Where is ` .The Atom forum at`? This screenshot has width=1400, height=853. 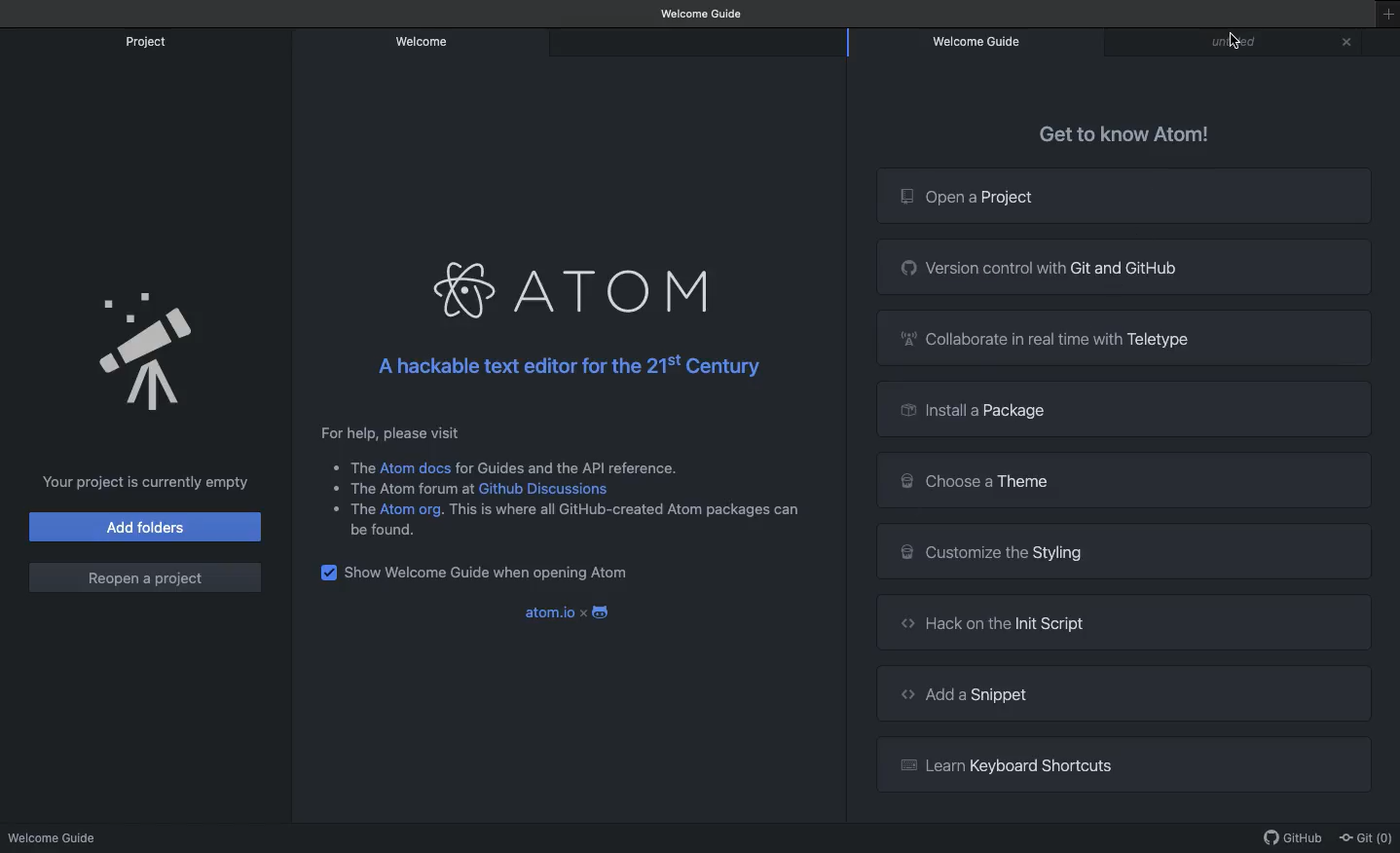  .The Atom forum at is located at coordinates (391, 489).